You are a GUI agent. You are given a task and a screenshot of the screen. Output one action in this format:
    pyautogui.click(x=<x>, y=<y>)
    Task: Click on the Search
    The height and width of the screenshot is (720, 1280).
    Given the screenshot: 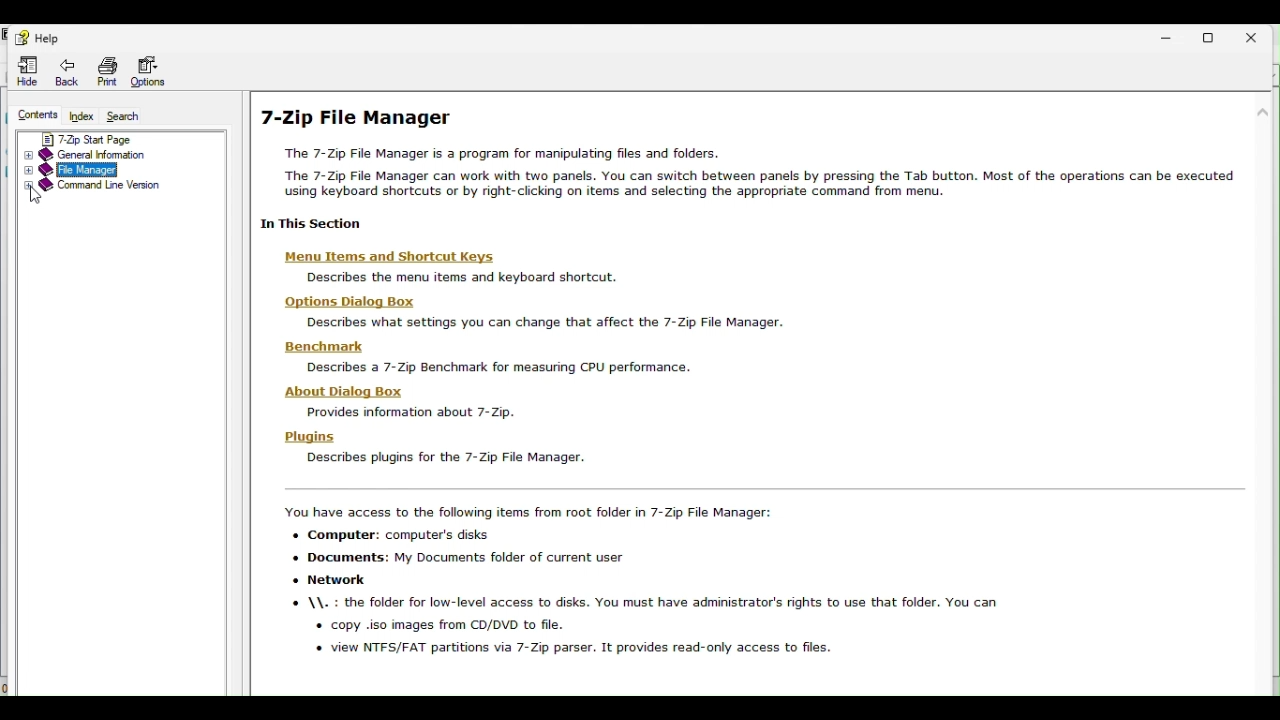 What is the action you would take?
    pyautogui.click(x=132, y=117)
    